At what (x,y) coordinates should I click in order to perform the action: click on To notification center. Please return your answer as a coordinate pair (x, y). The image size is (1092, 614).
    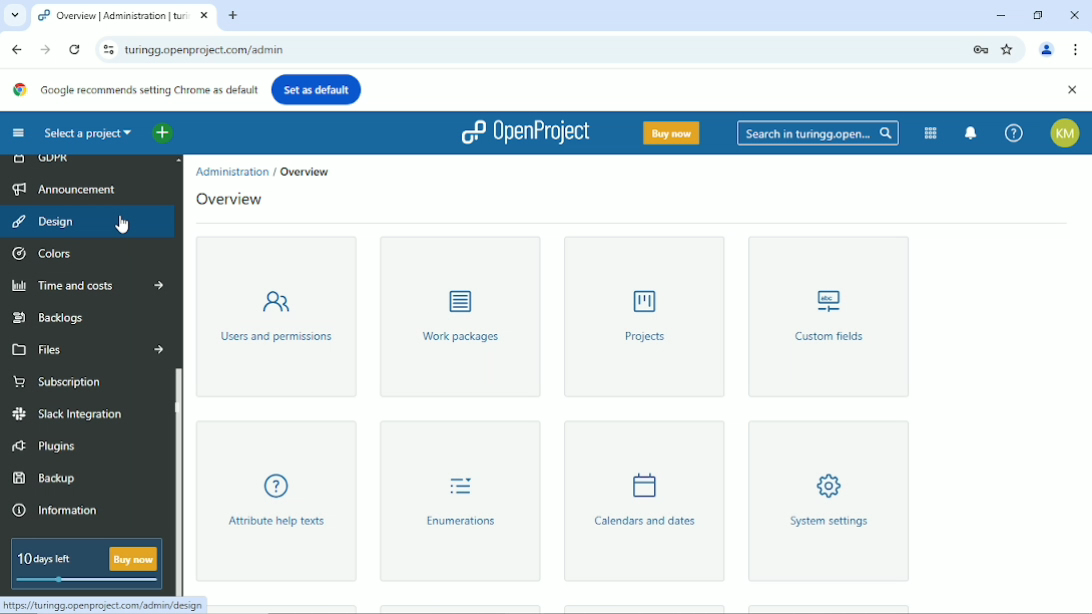
    Looking at the image, I should click on (972, 132).